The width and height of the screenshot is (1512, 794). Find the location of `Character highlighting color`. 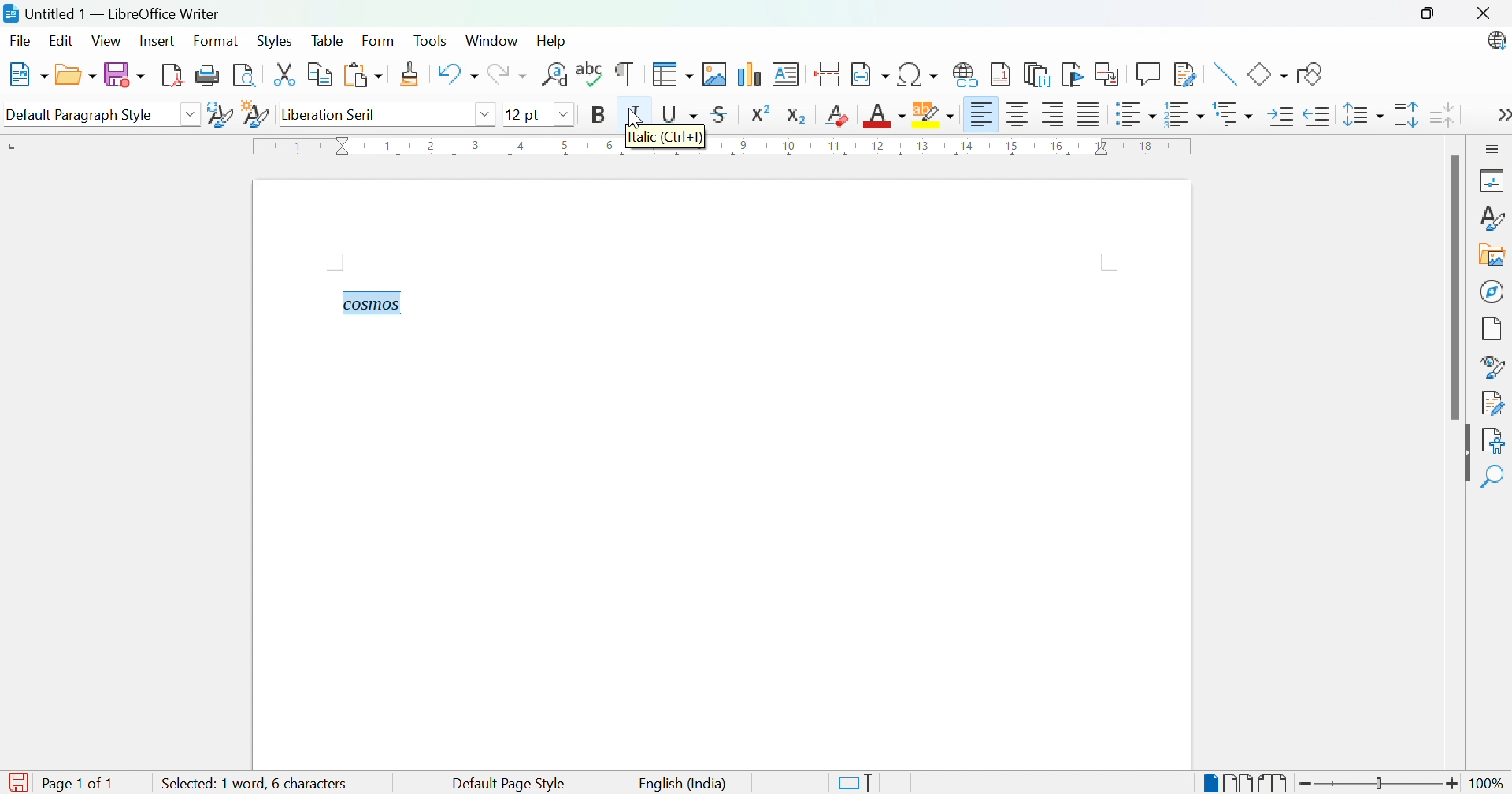

Character highlighting color is located at coordinates (934, 114).